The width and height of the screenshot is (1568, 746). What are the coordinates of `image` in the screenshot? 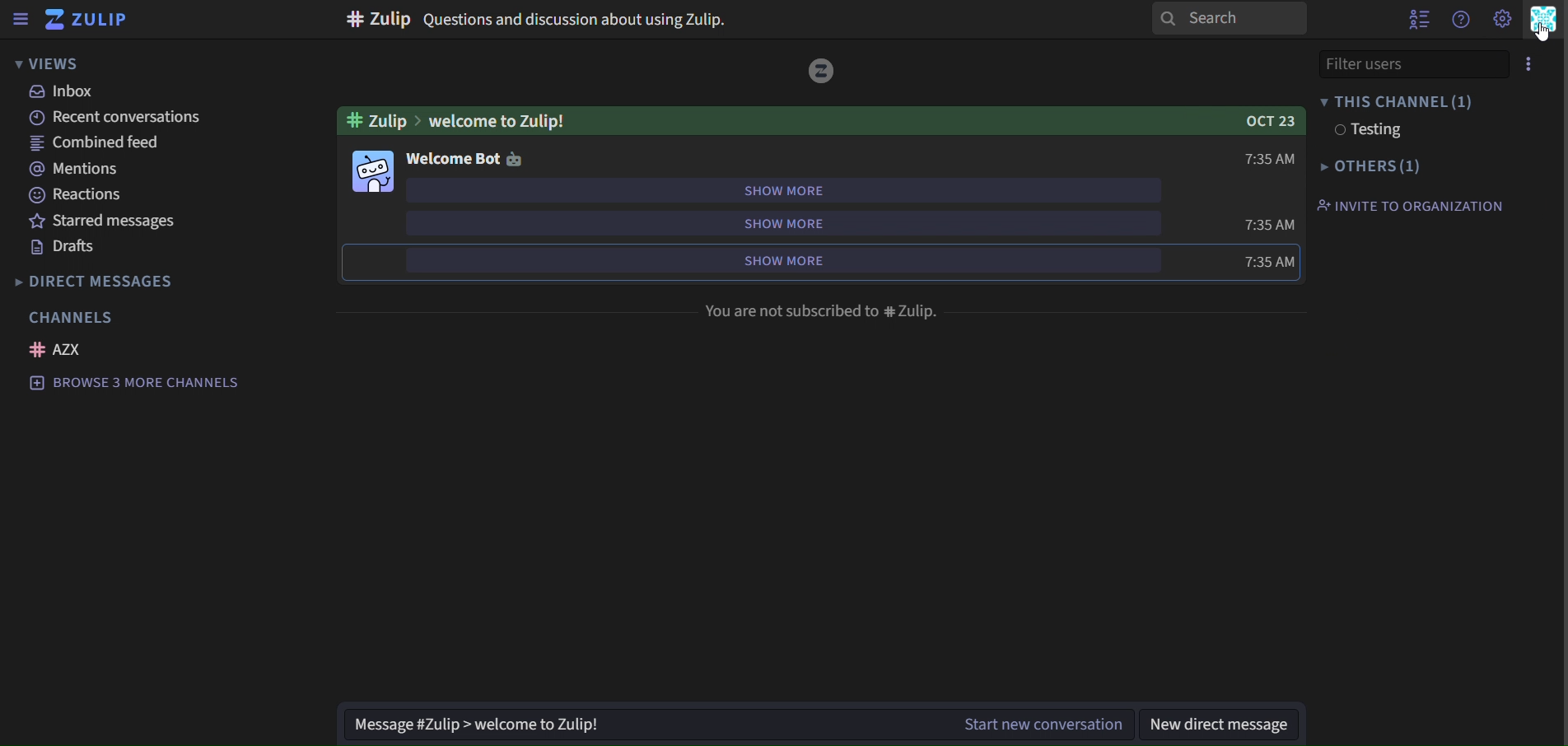 It's located at (825, 73).